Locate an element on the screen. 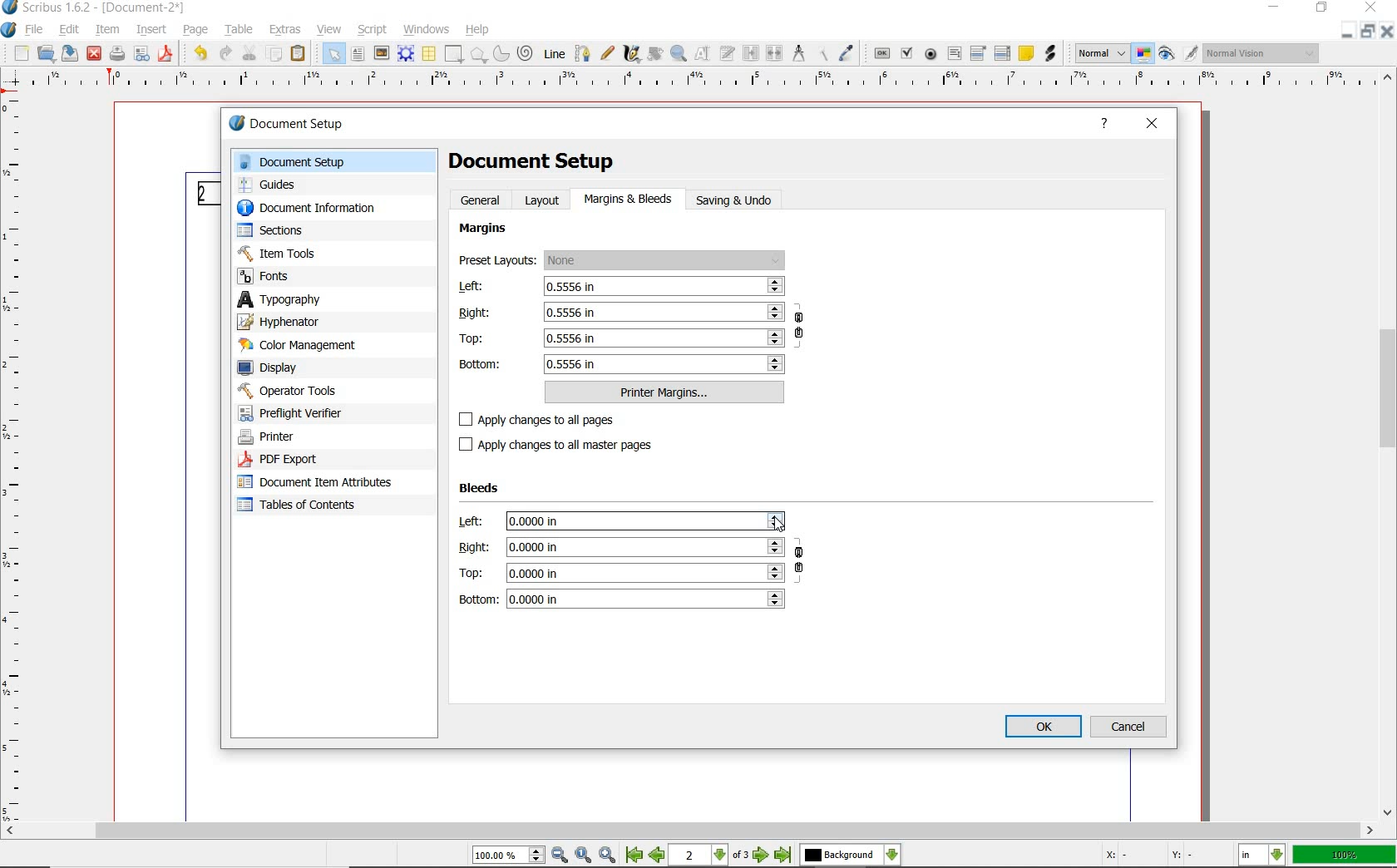  visual appearance of the display is located at coordinates (1263, 53).